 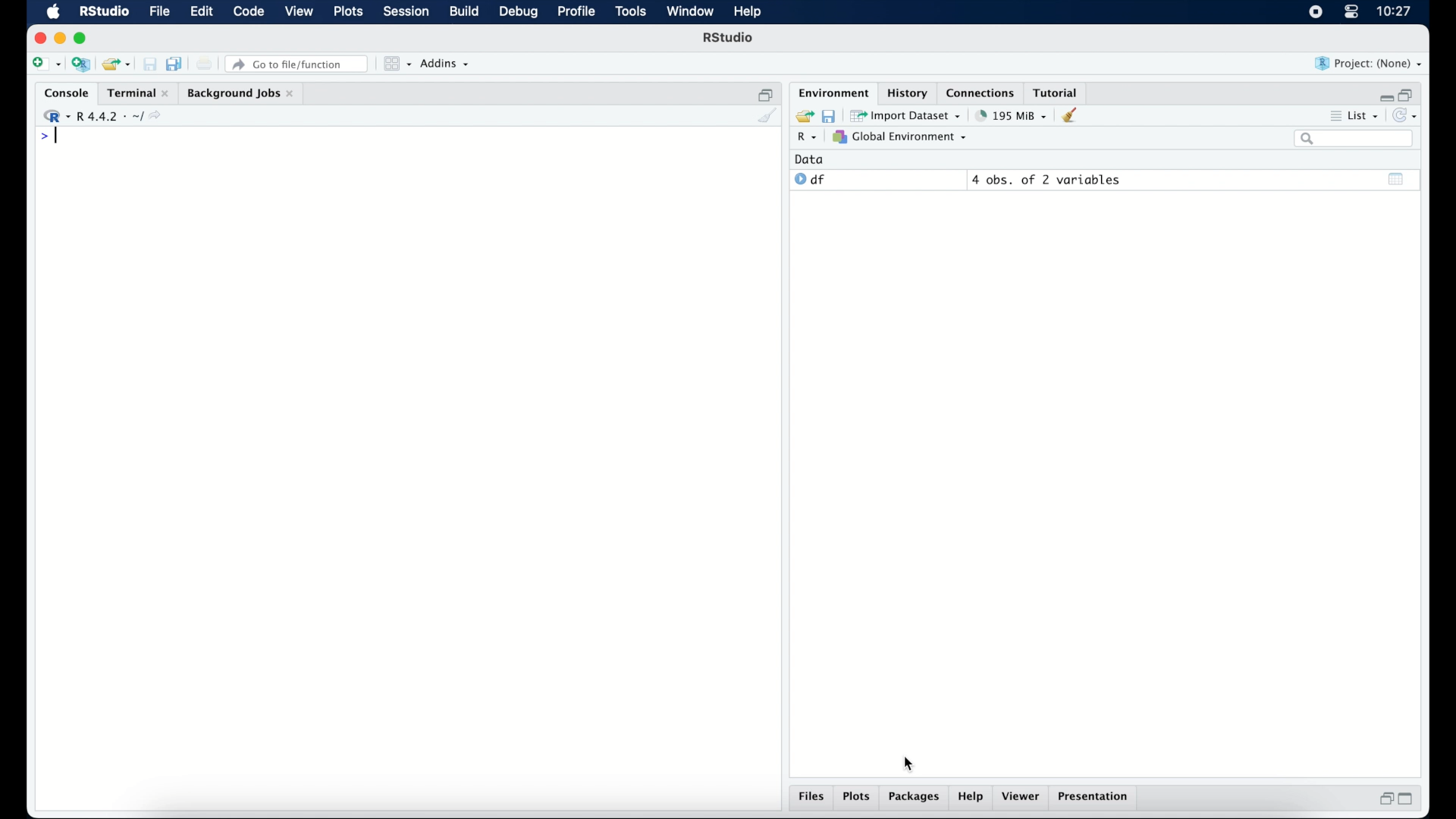 What do you see at coordinates (104, 12) in the screenshot?
I see `R Studio` at bounding box center [104, 12].